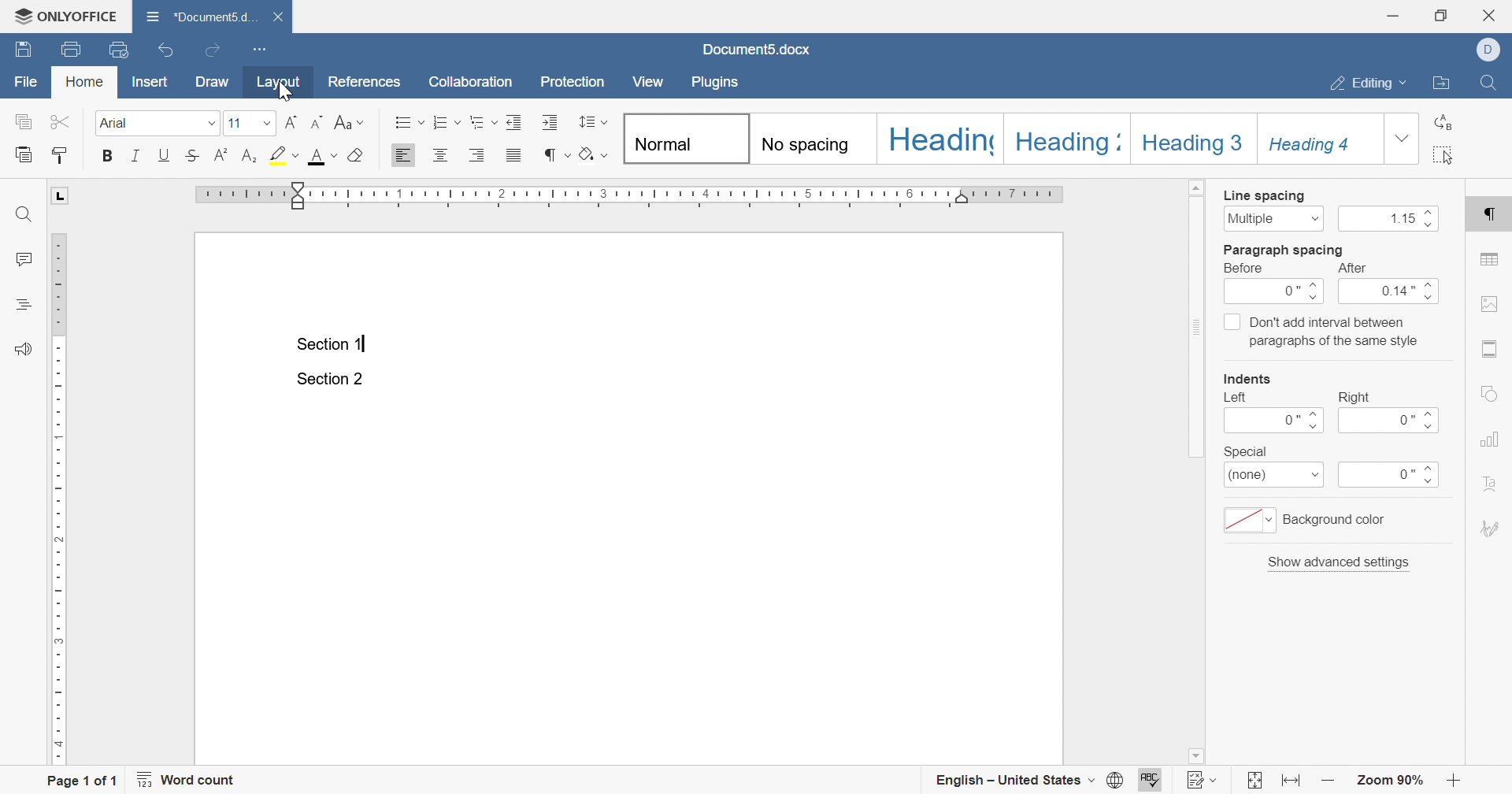  I want to click on line spacing, so click(1265, 196).